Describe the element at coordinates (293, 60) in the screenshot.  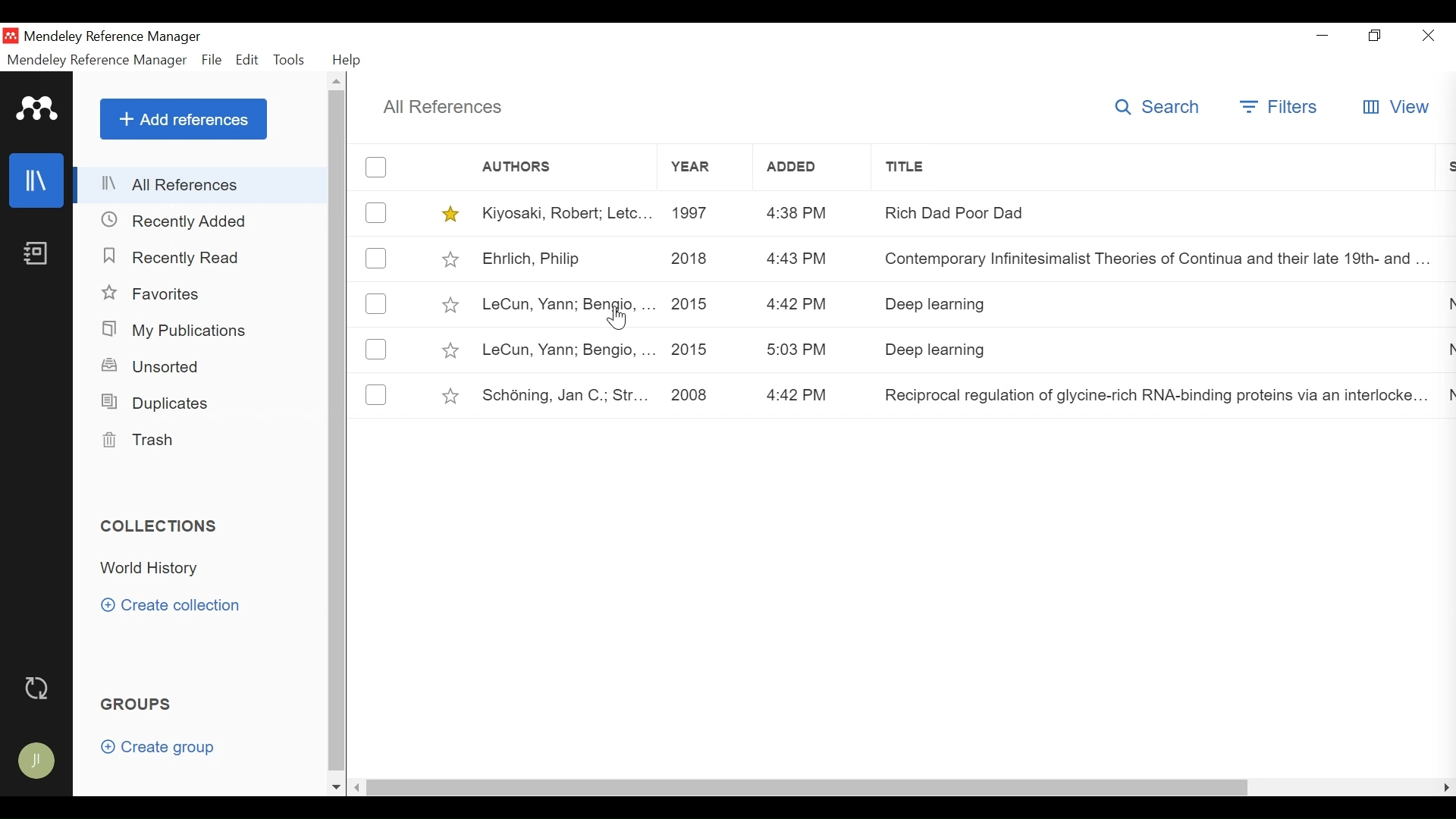
I see `Tools` at that location.